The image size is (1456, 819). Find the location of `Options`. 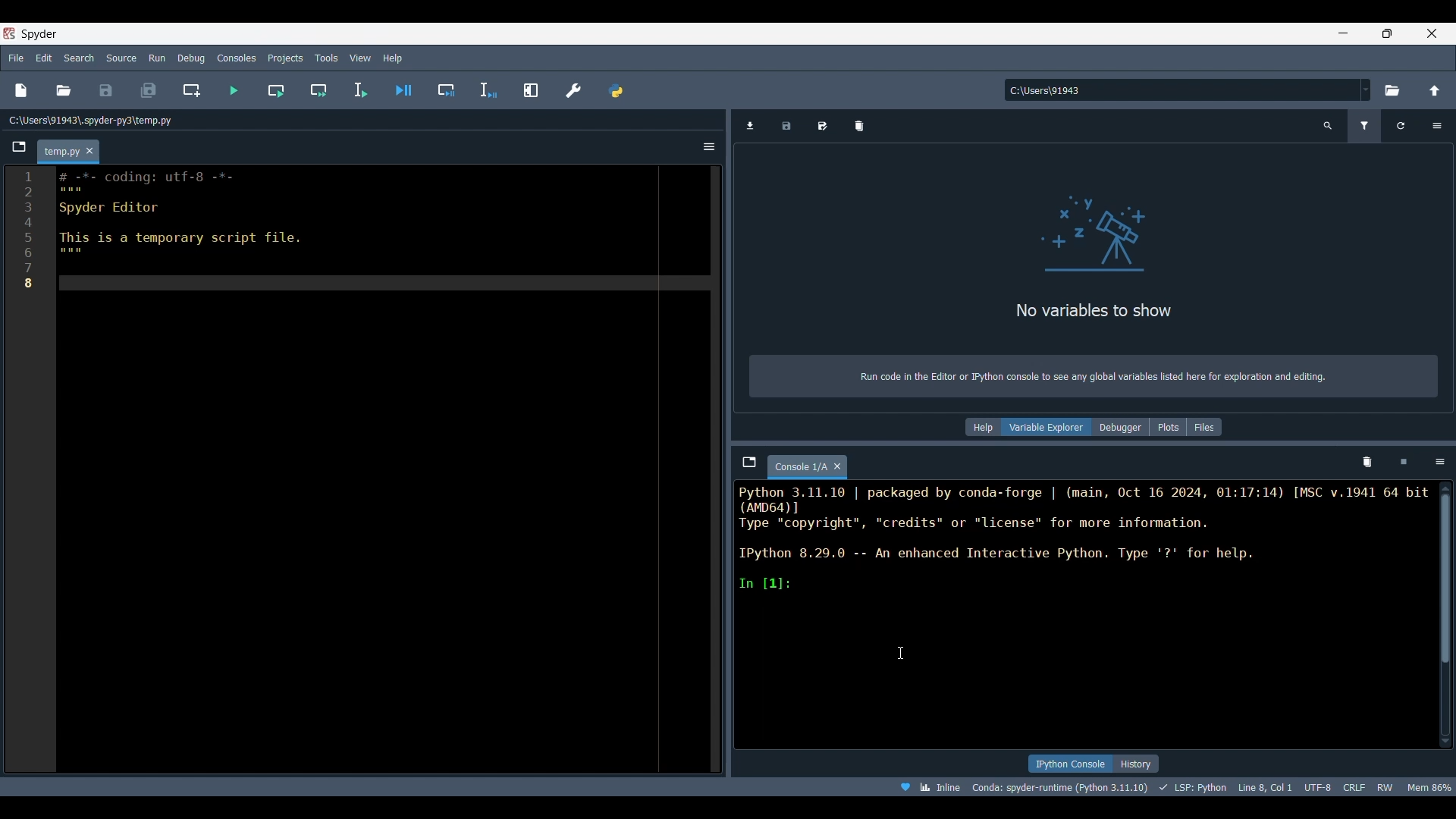

Options is located at coordinates (709, 146).